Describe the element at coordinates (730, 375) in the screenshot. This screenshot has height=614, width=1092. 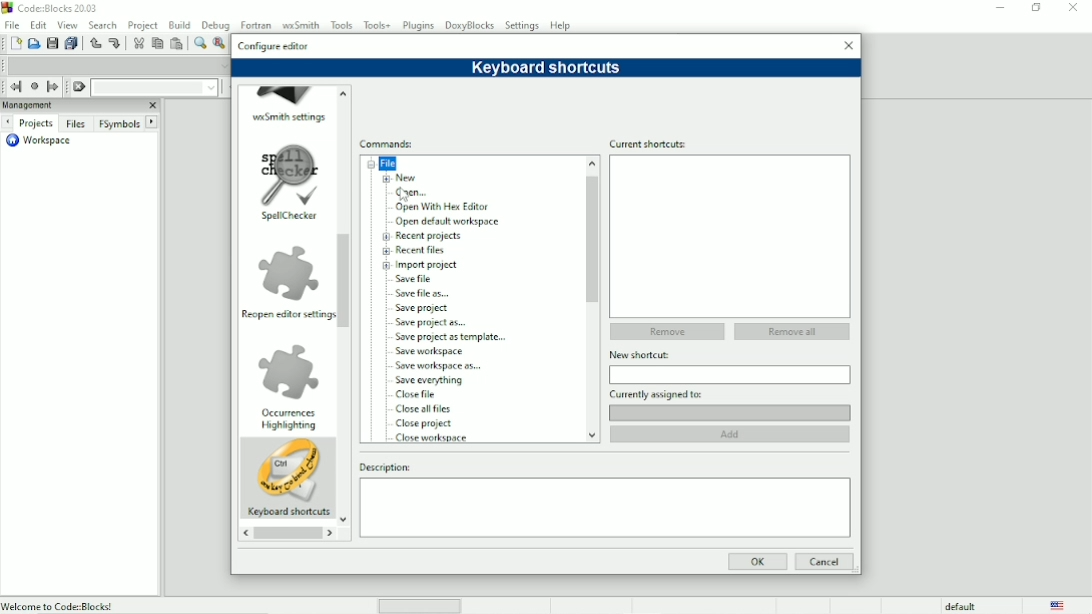
I see `` at that location.